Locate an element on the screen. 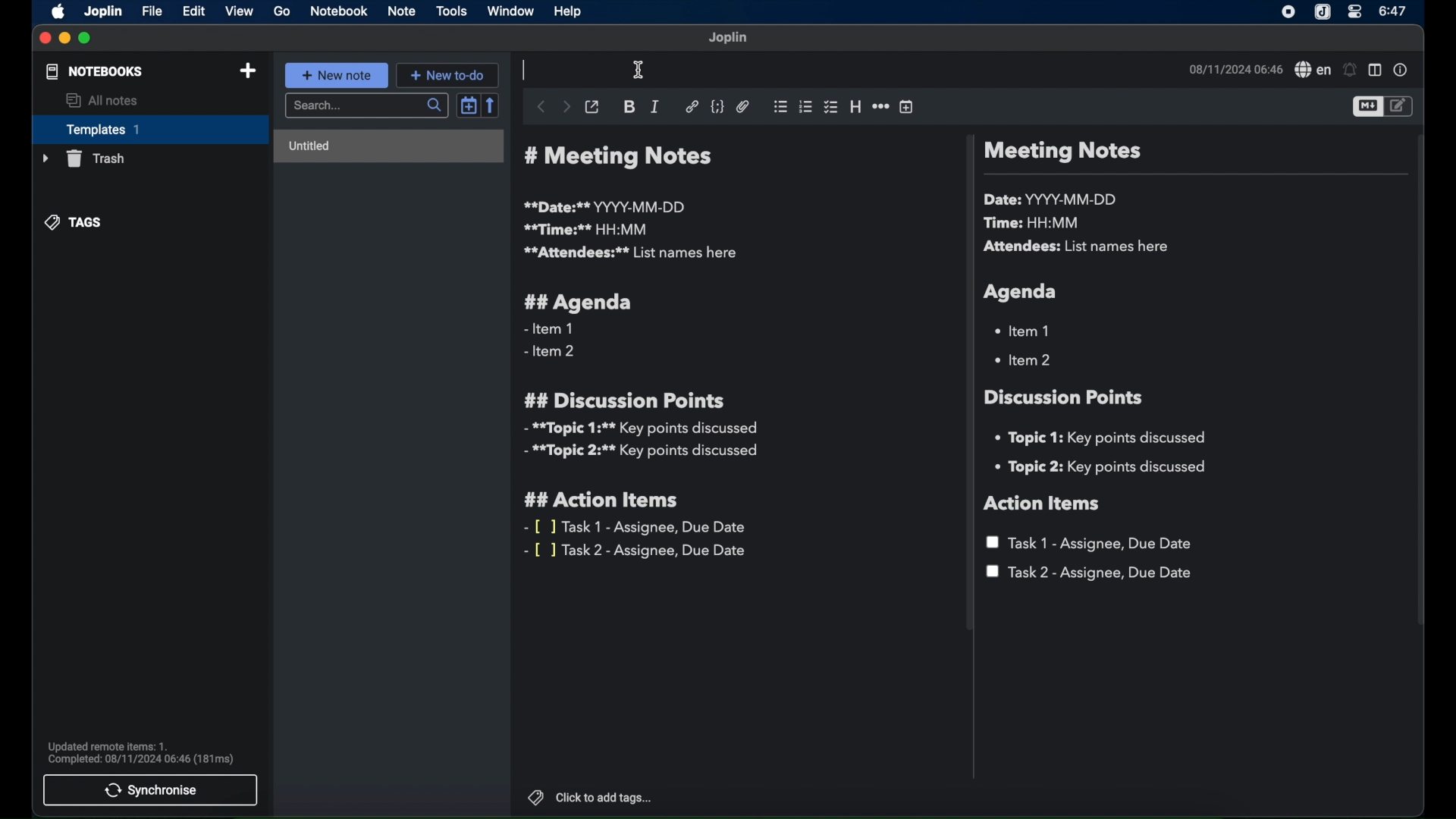 This screenshot has height=819, width=1456. Joplin is located at coordinates (102, 11).